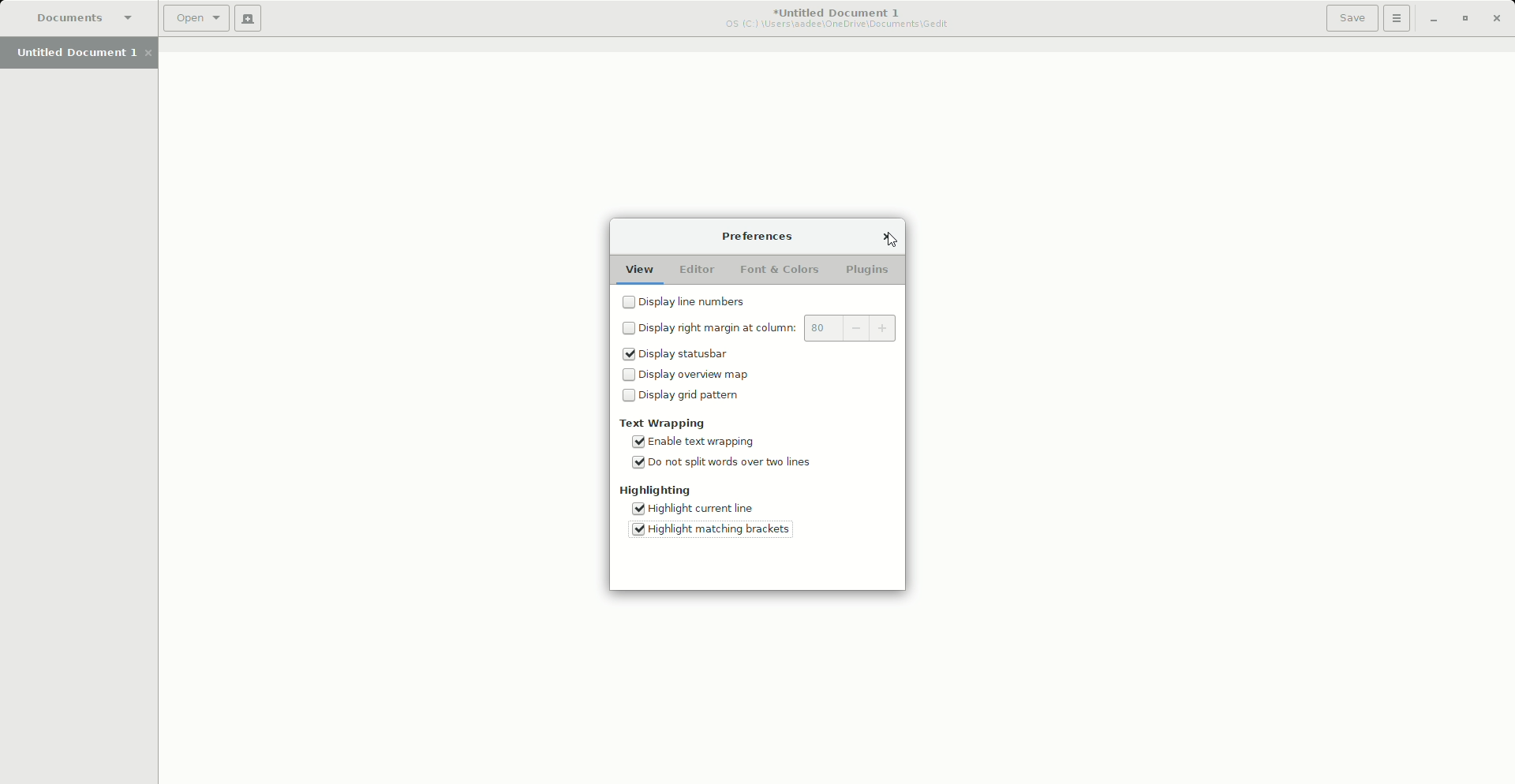  I want to click on Options, so click(1393, 19).